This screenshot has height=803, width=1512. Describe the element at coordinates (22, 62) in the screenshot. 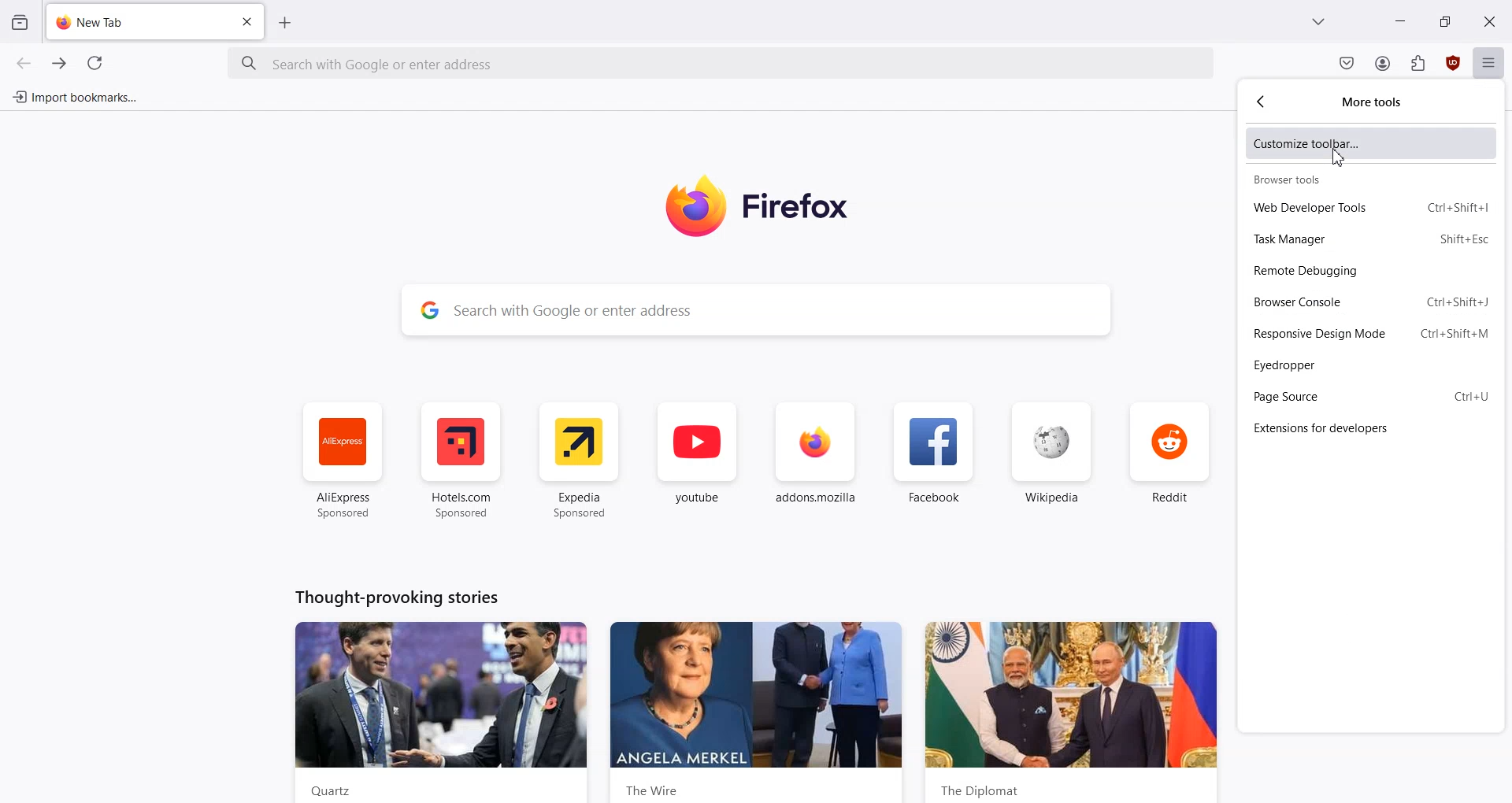

I see `Go Back one page ` at that location.